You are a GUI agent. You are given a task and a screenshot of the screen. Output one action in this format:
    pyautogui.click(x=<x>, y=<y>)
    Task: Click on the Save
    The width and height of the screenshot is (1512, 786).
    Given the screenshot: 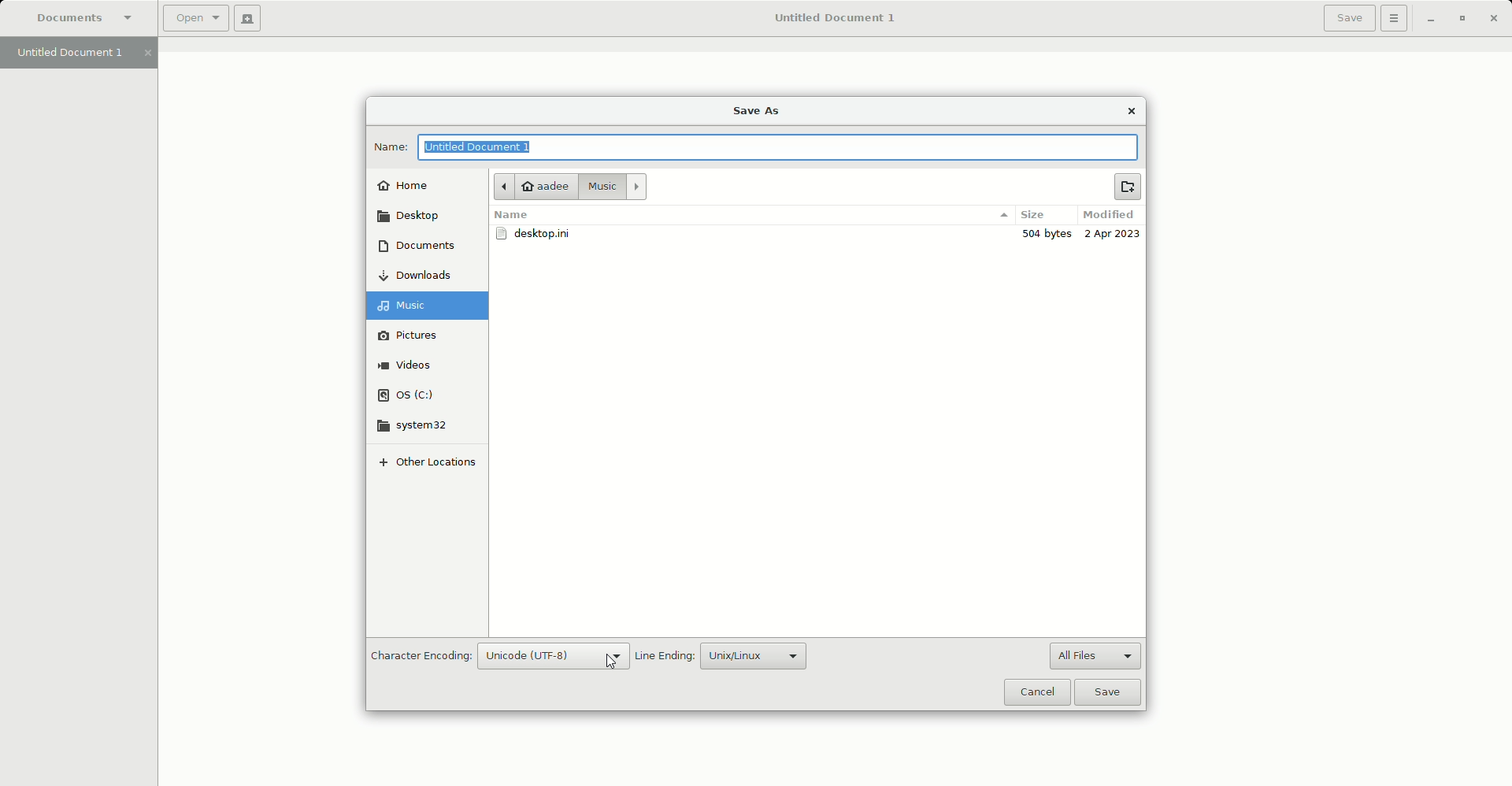 What is the action you would take?
    pyautogui.click(x=1107, y=692)
    